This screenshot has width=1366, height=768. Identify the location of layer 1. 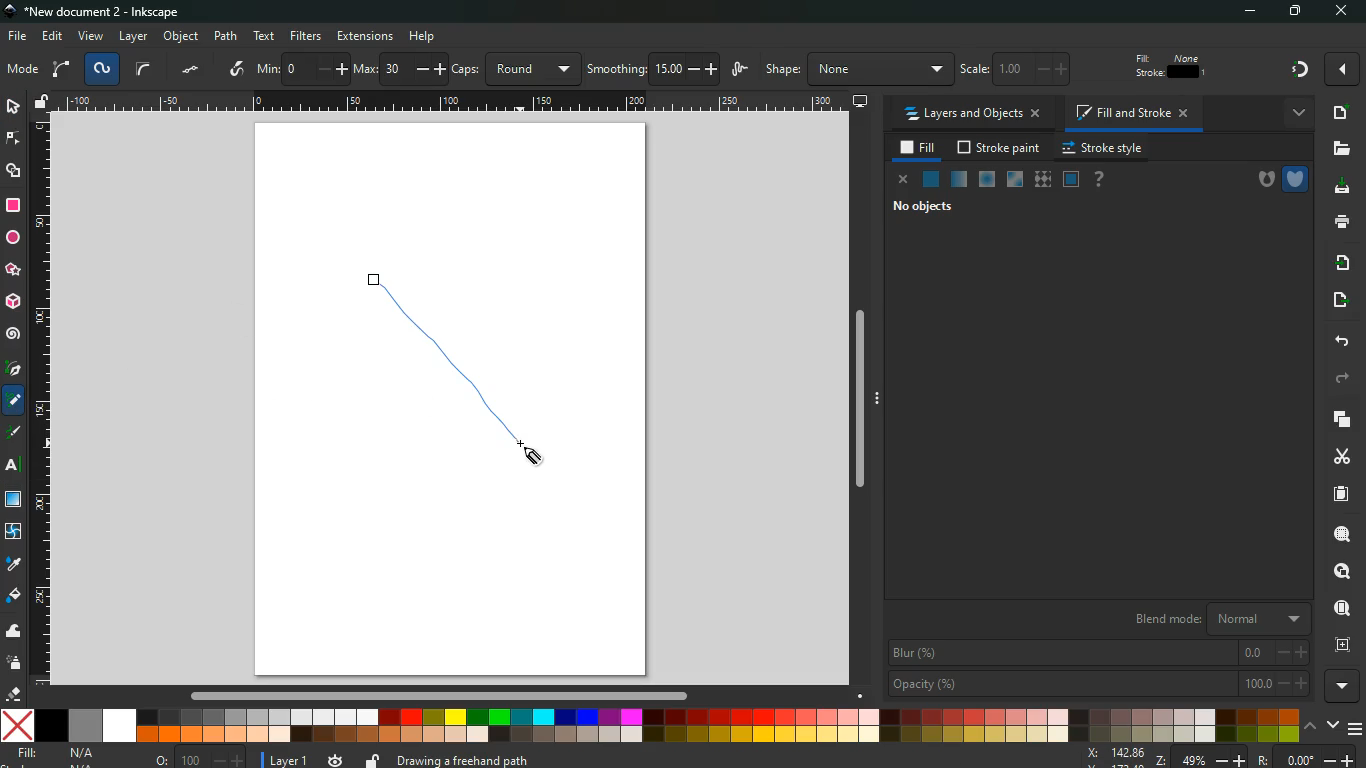
(291, 759).